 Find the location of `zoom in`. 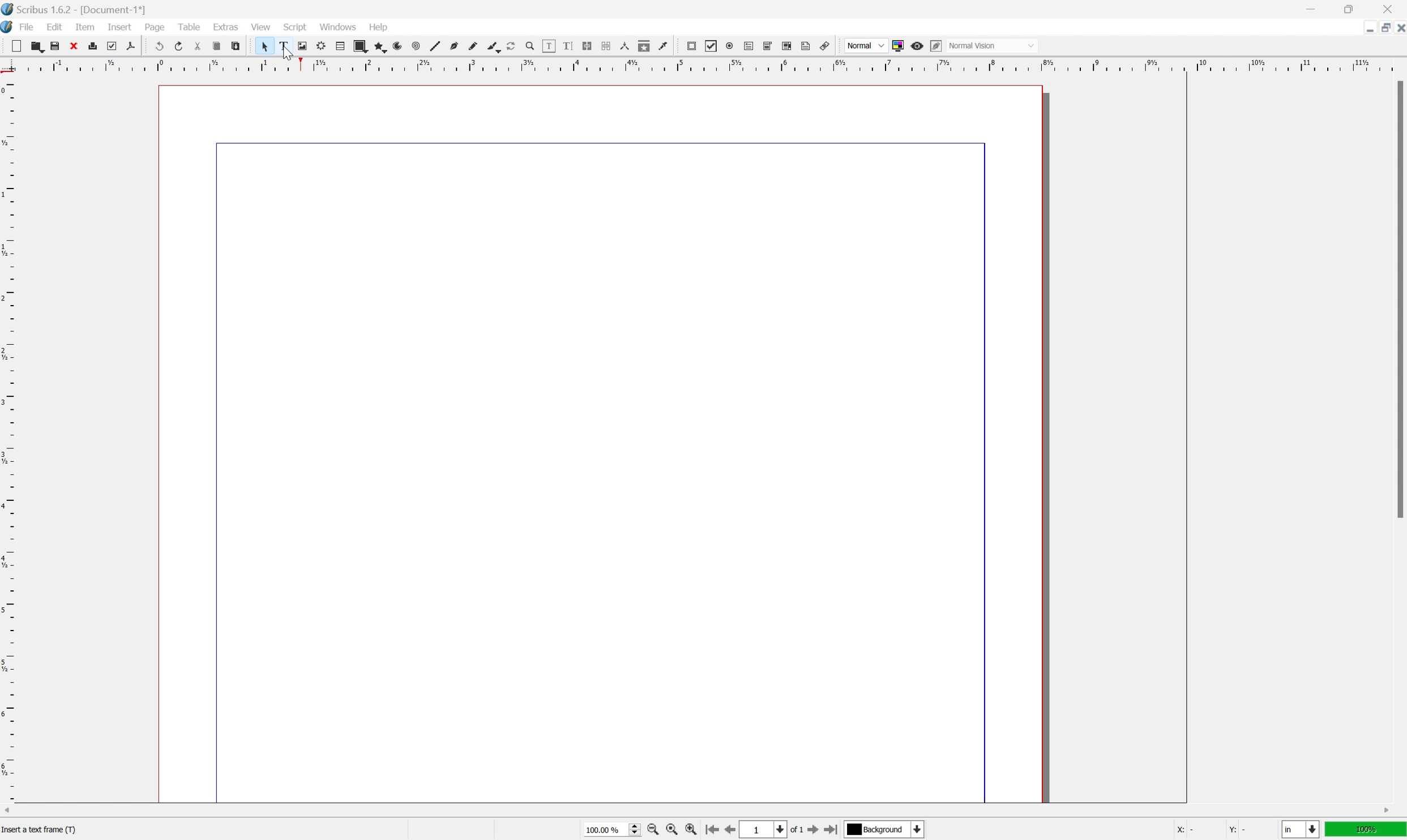

zoom in is located at coordinates (653, 831).